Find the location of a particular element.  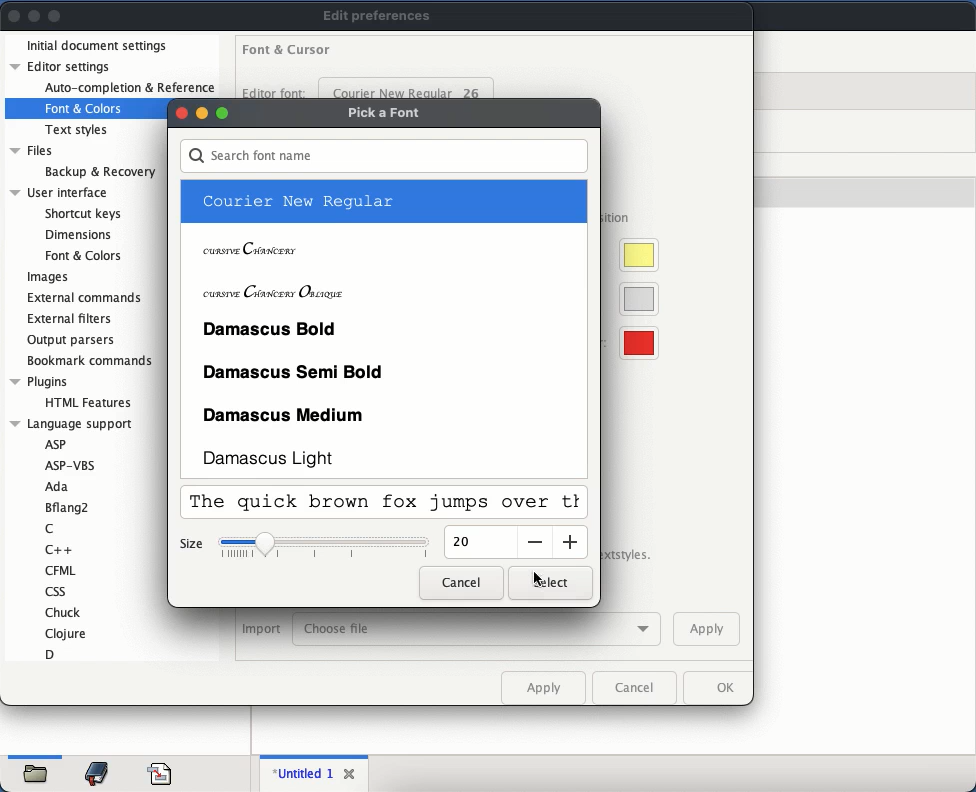

Plugins is located at coordinates (39, 380).